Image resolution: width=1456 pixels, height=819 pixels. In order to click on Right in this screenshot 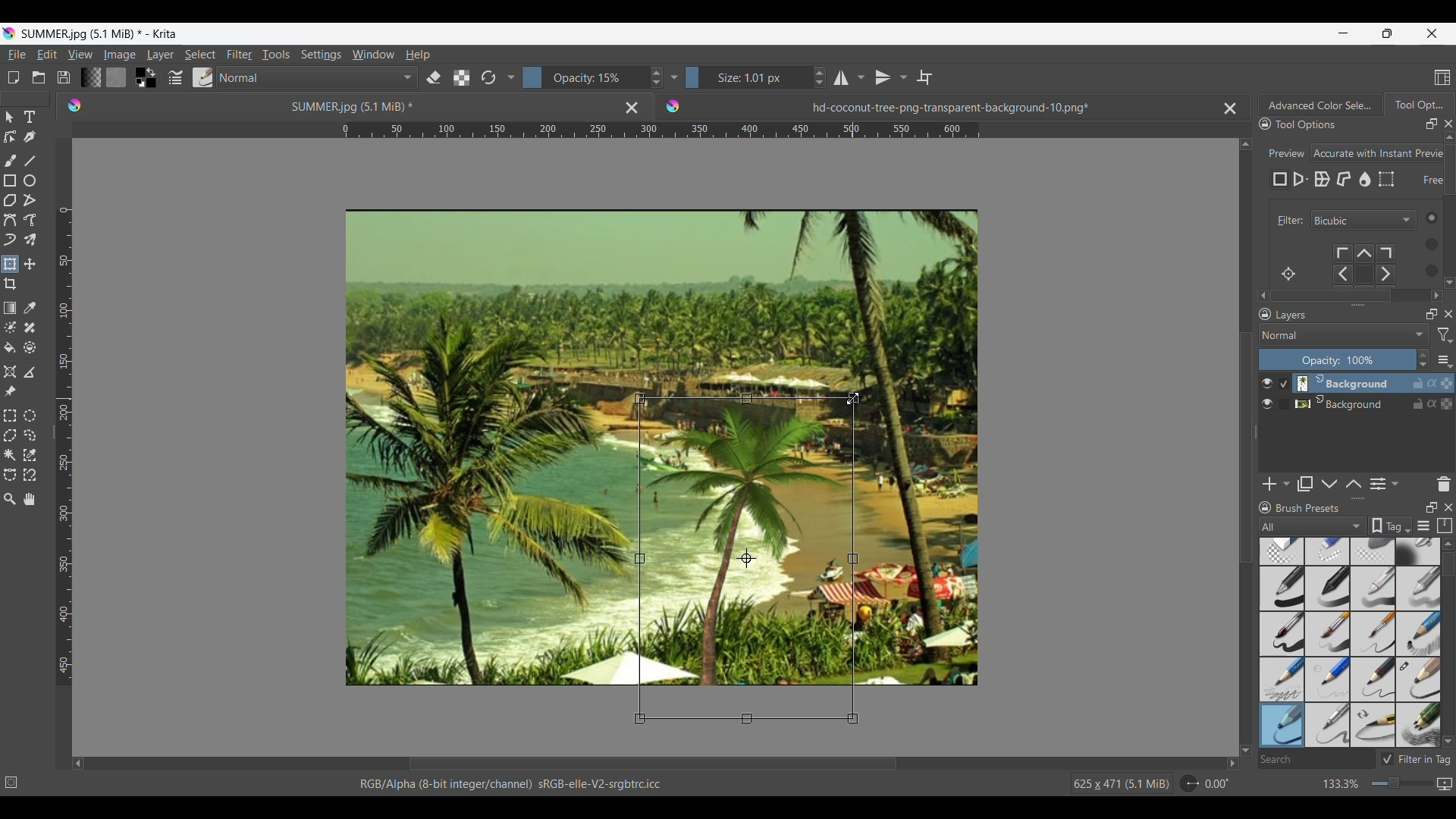, I will do `click(1434, 293)`.